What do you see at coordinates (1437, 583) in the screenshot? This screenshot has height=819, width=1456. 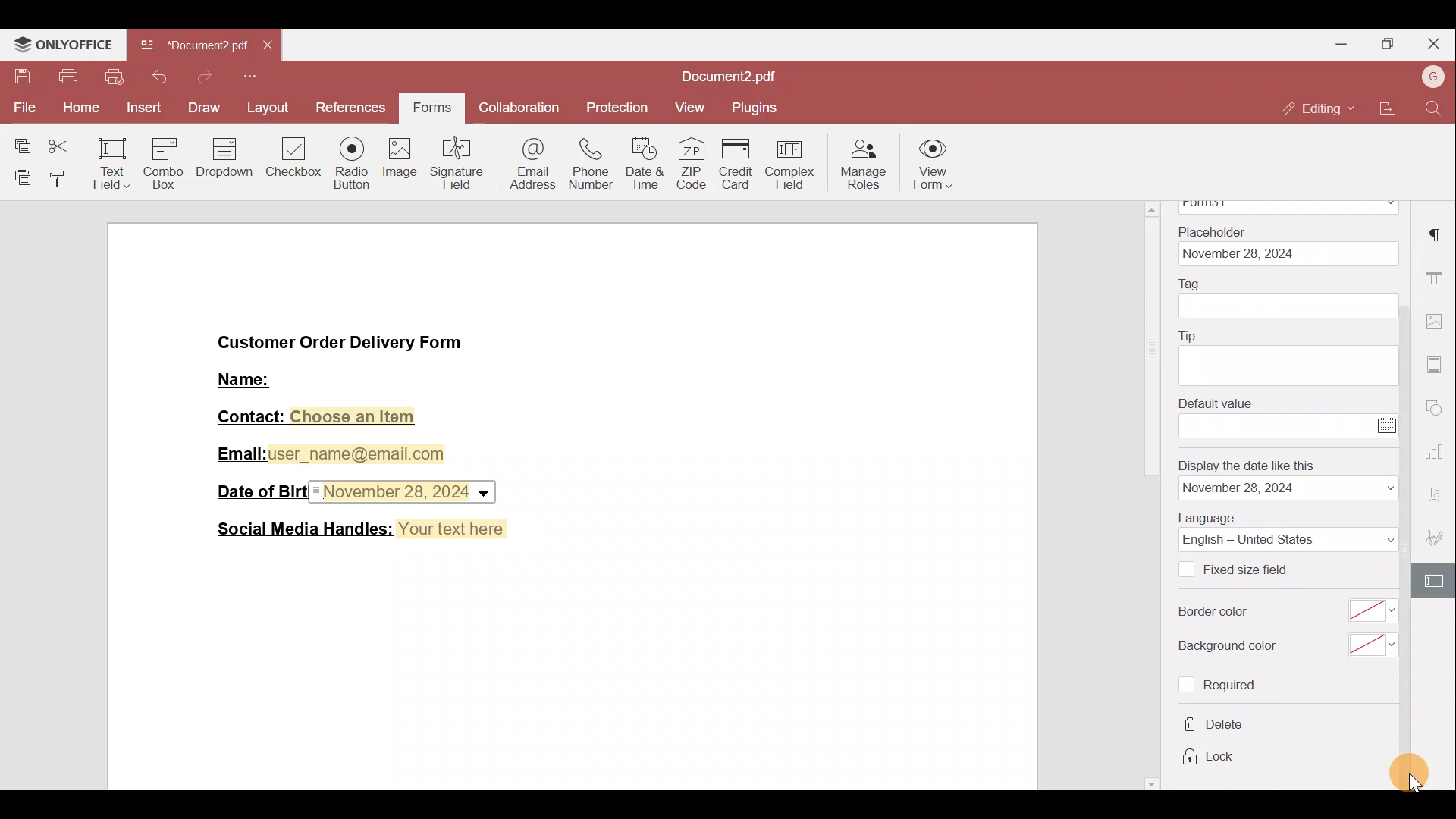 I see `Form settings` at bounding box center [1437, 583].